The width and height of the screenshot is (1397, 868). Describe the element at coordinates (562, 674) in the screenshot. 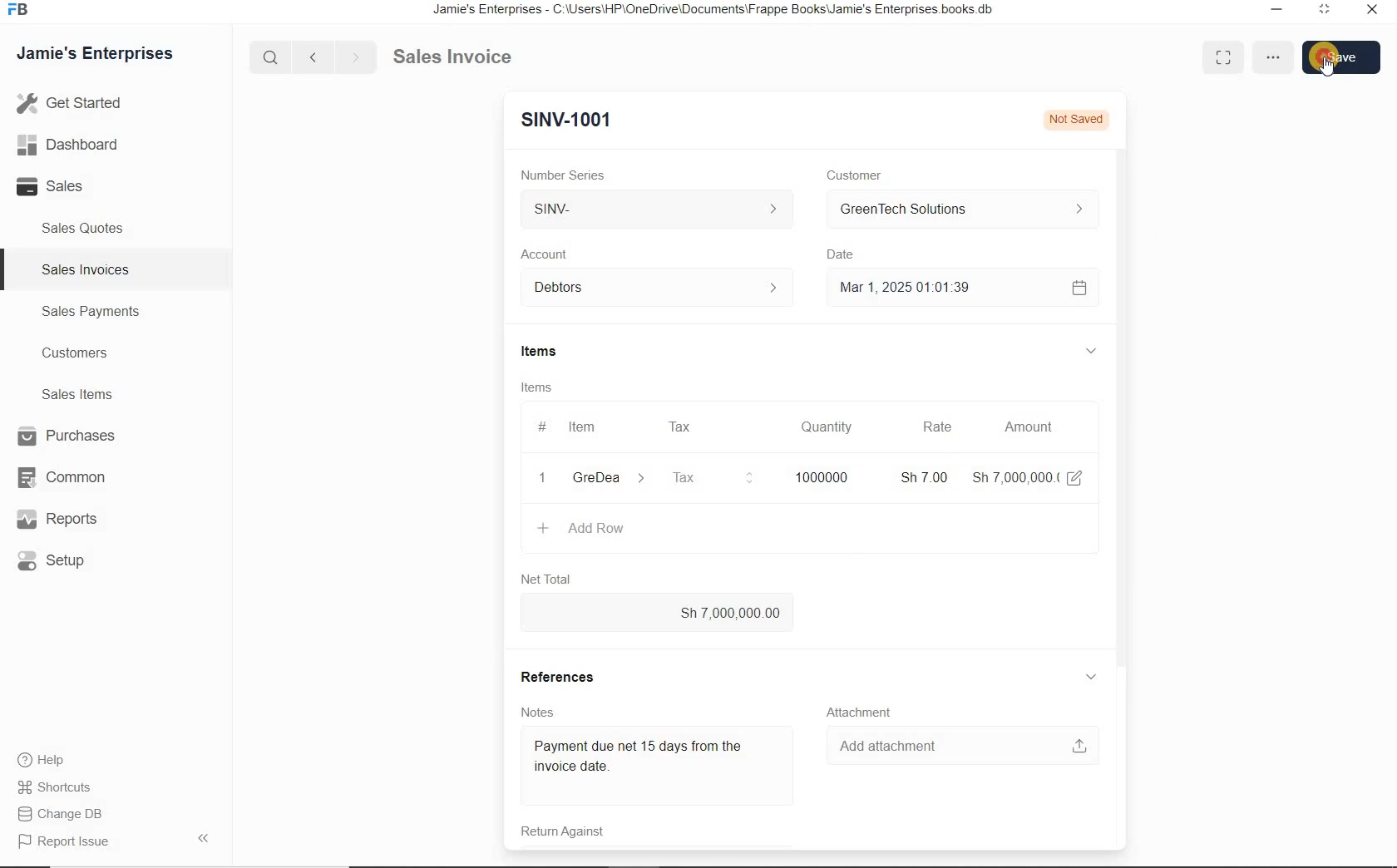

I see `References` at that location.